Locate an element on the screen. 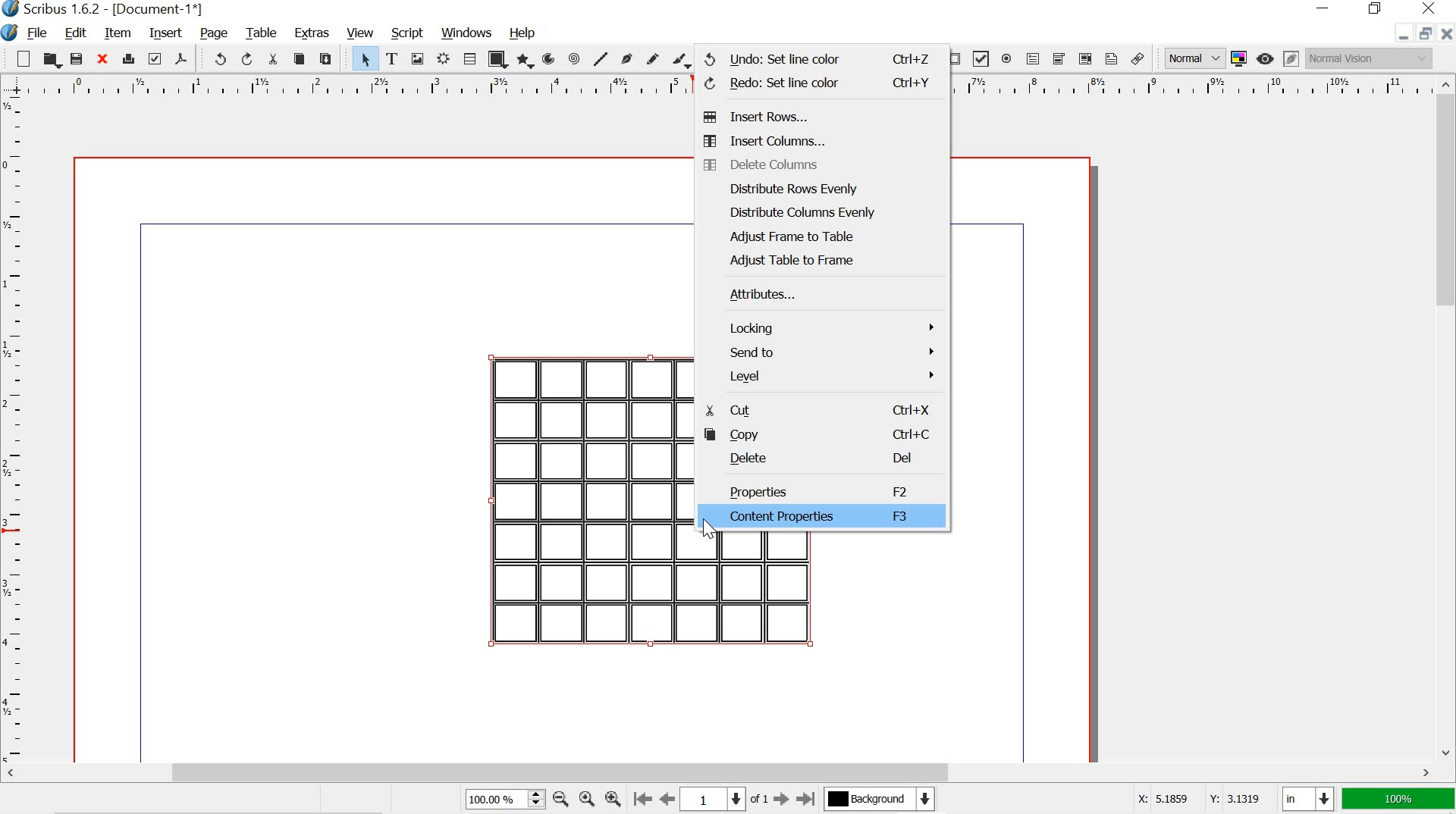 This screenshot has width=1456, height=814. delete columns is located at coordinates (824, 164).